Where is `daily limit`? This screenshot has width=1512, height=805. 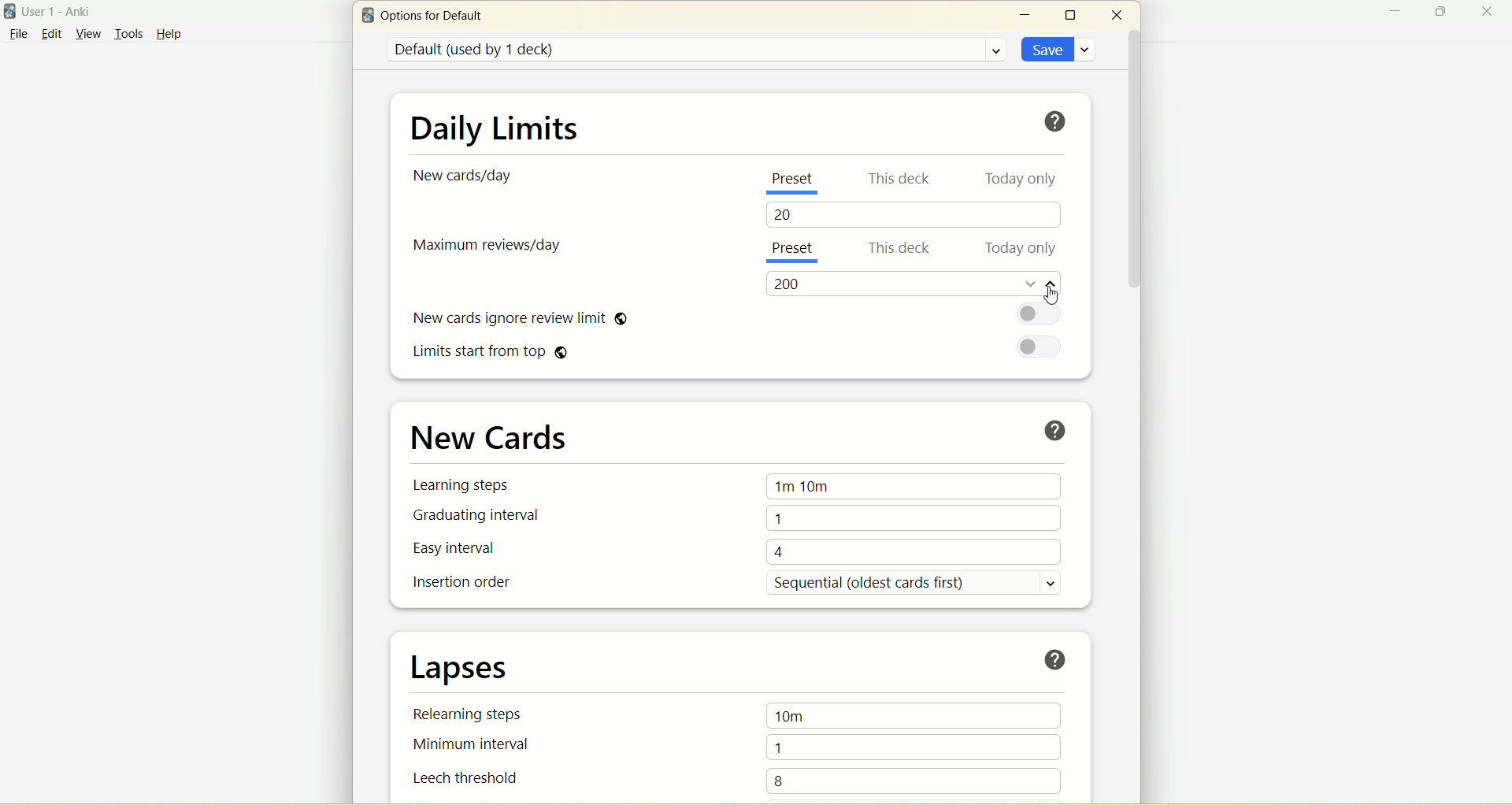 daily limit is located at coordinates (491, 128).